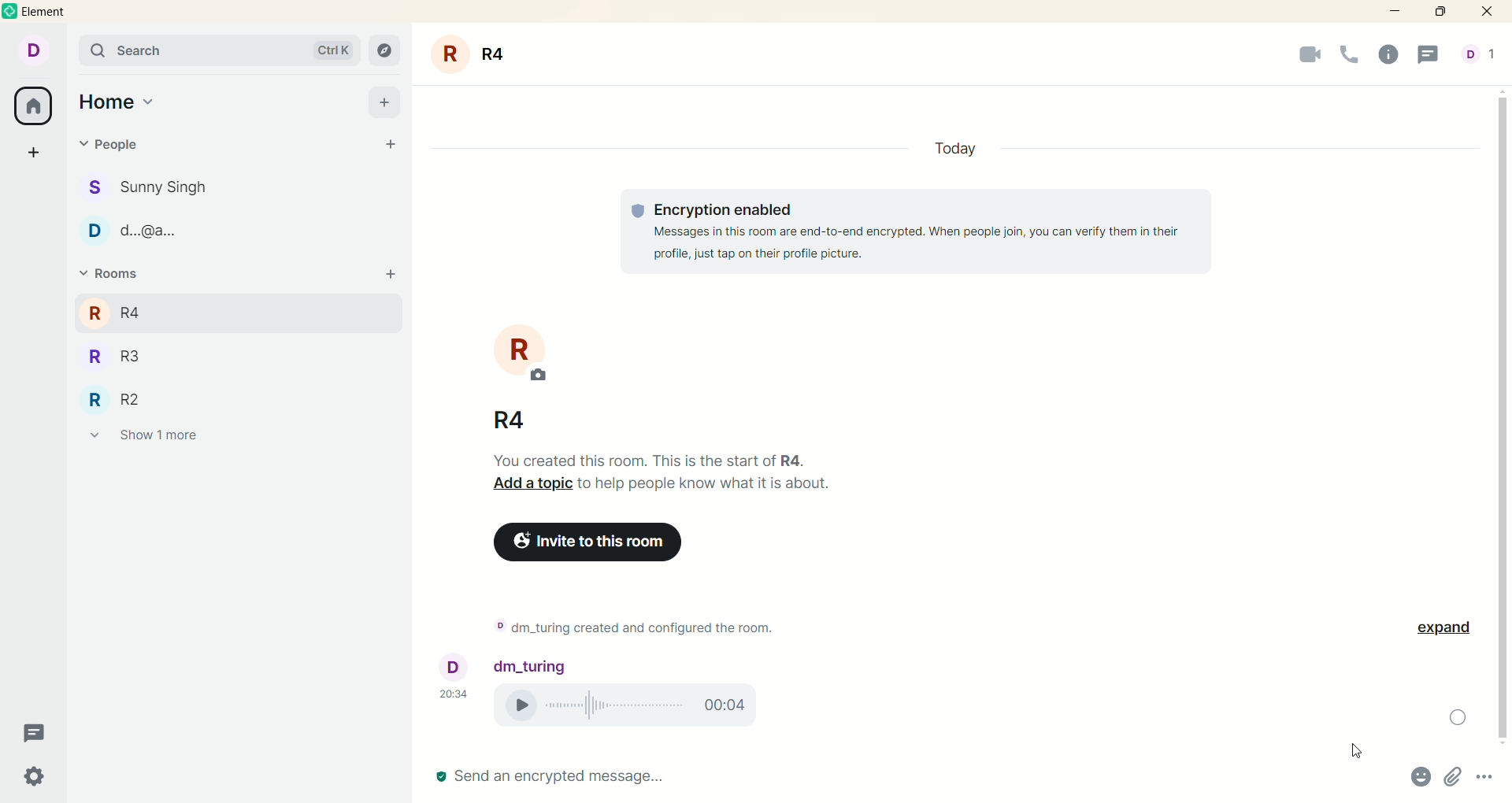 This screenshot has height=803, width=1512. I want to click on , so click(391, 276).